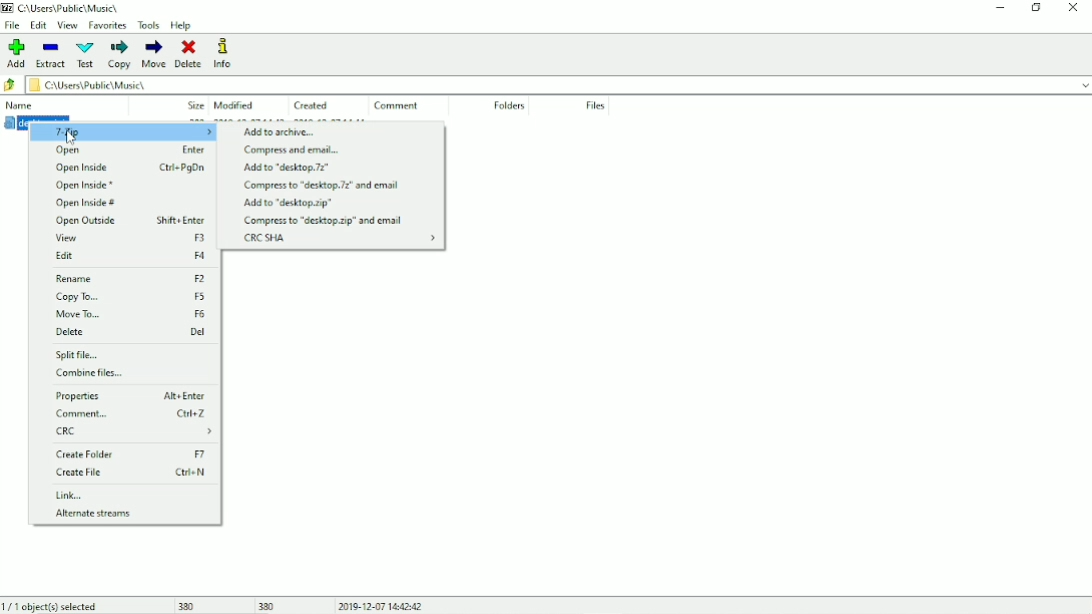 The height and width of the screenshot is (614, 1092). What do you see at coordinates (149, 26) in the screenshot?
I see `Tools` at bounding box center [149, 26].